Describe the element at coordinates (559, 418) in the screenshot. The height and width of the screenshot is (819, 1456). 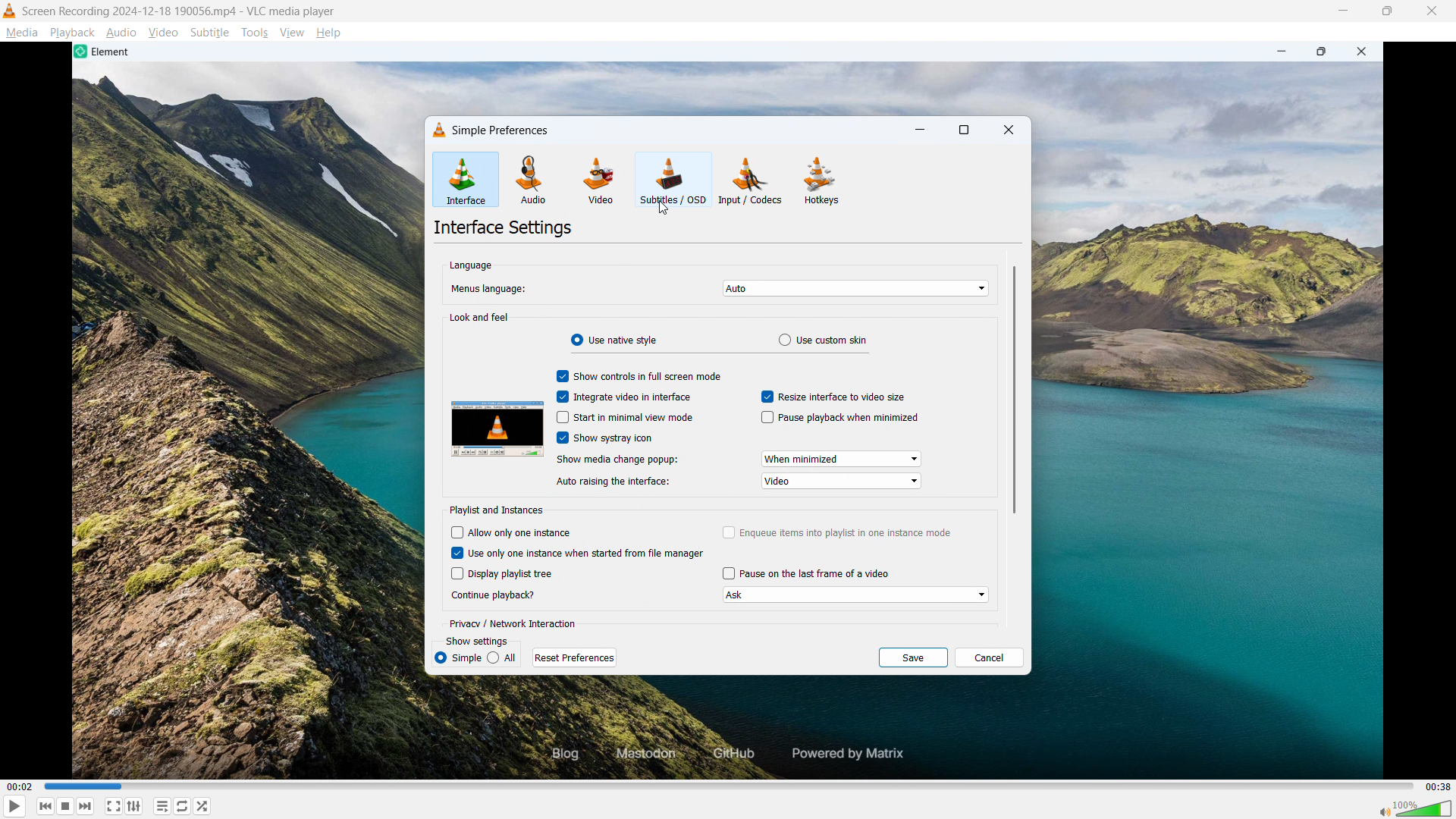
I see `checkbox` at that location.